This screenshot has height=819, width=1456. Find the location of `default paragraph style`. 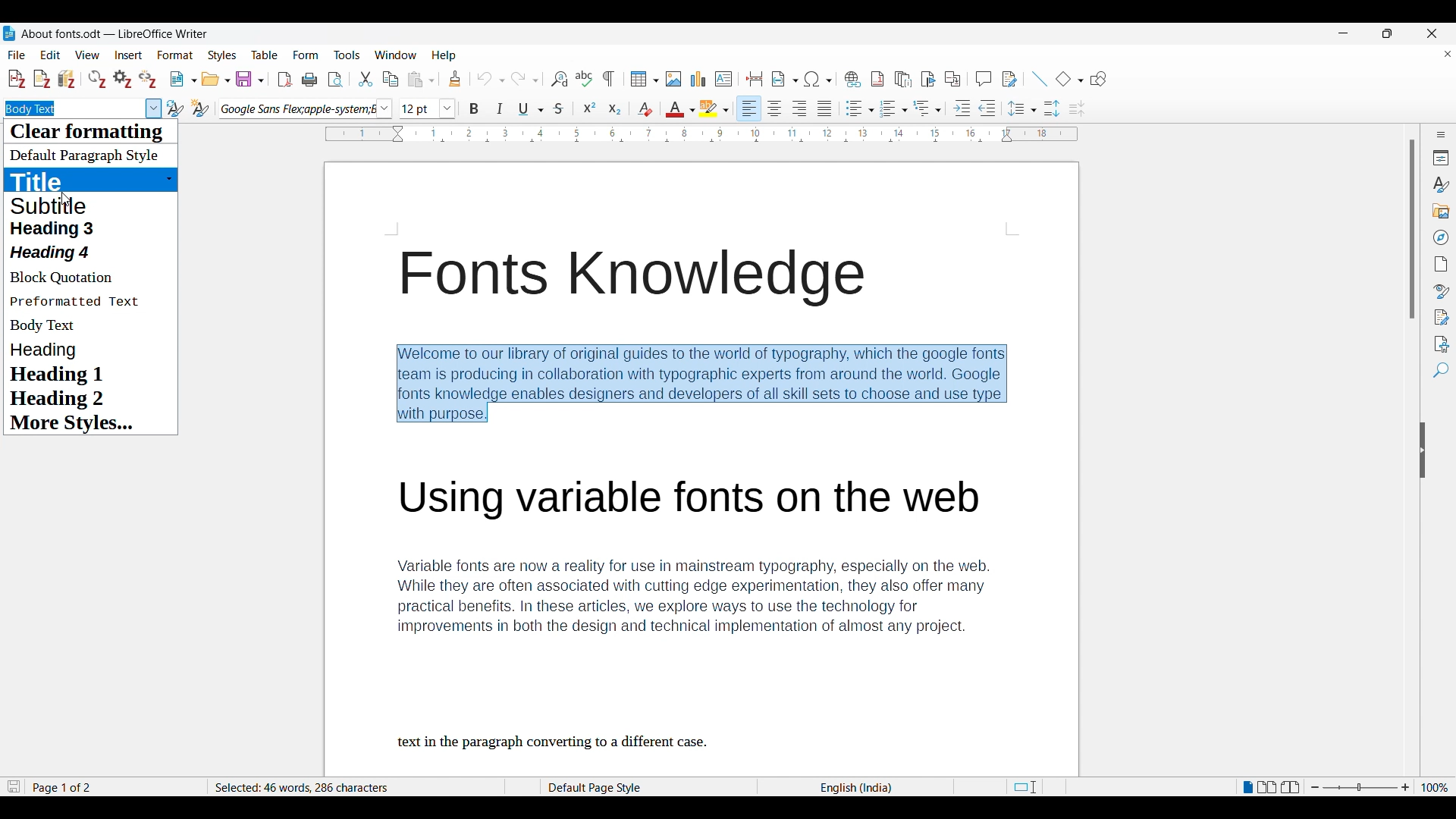

default paragraph style is located at coordinates (60, 227).